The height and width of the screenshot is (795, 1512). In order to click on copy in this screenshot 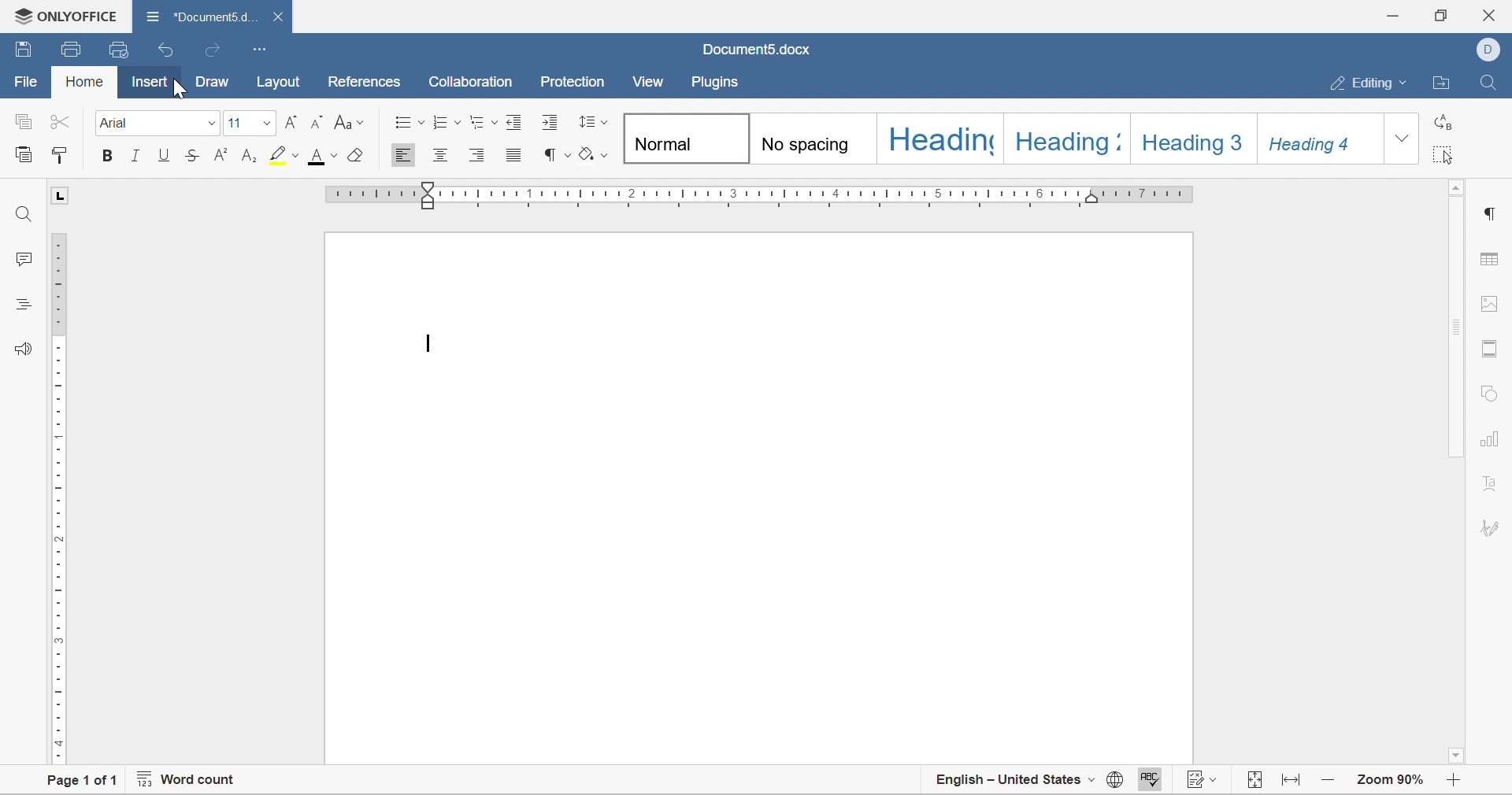, I will do `click(20, 120)`.